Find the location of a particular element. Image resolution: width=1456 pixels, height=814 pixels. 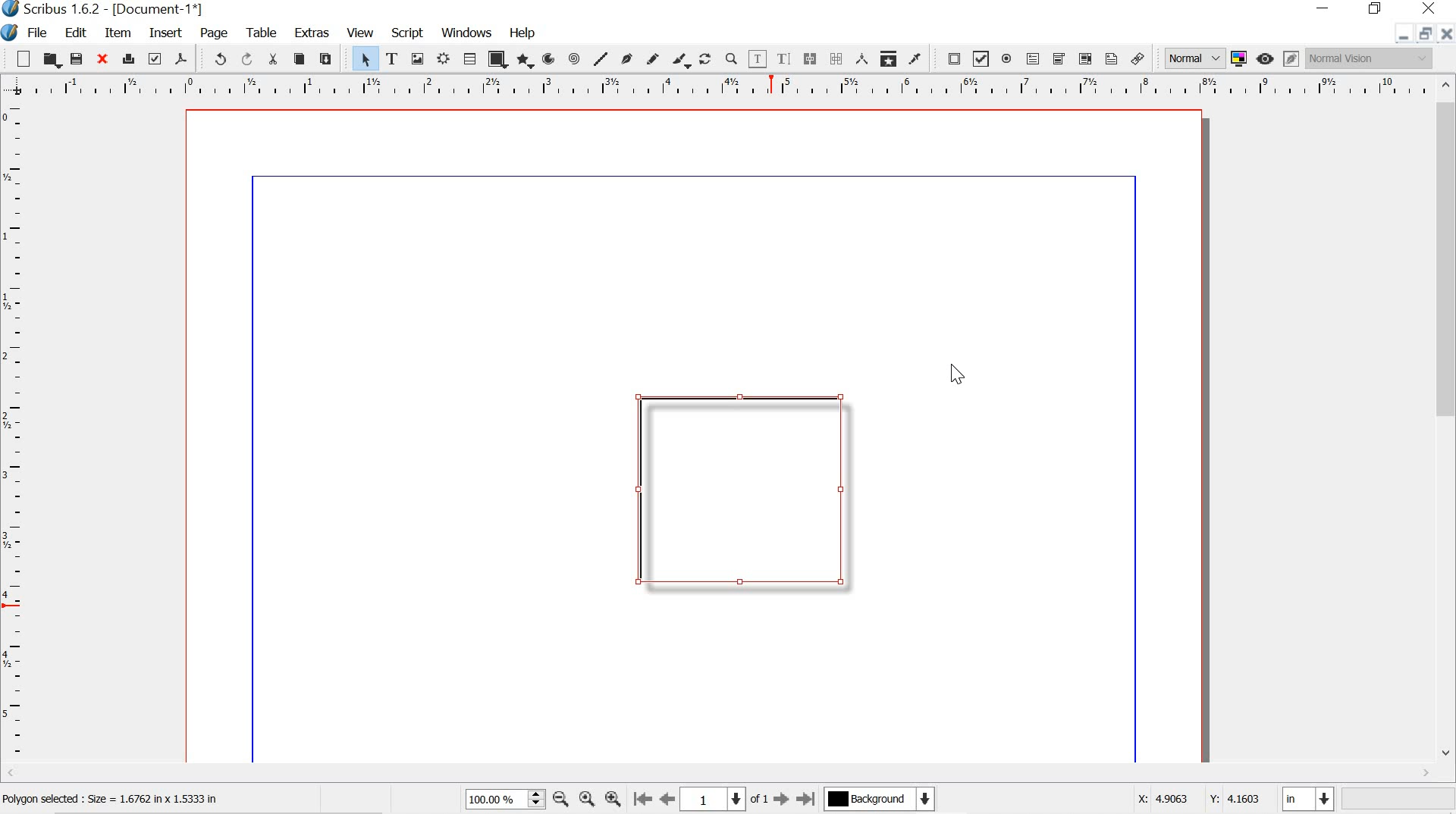

100.00% is located at coordinates (490, 802).